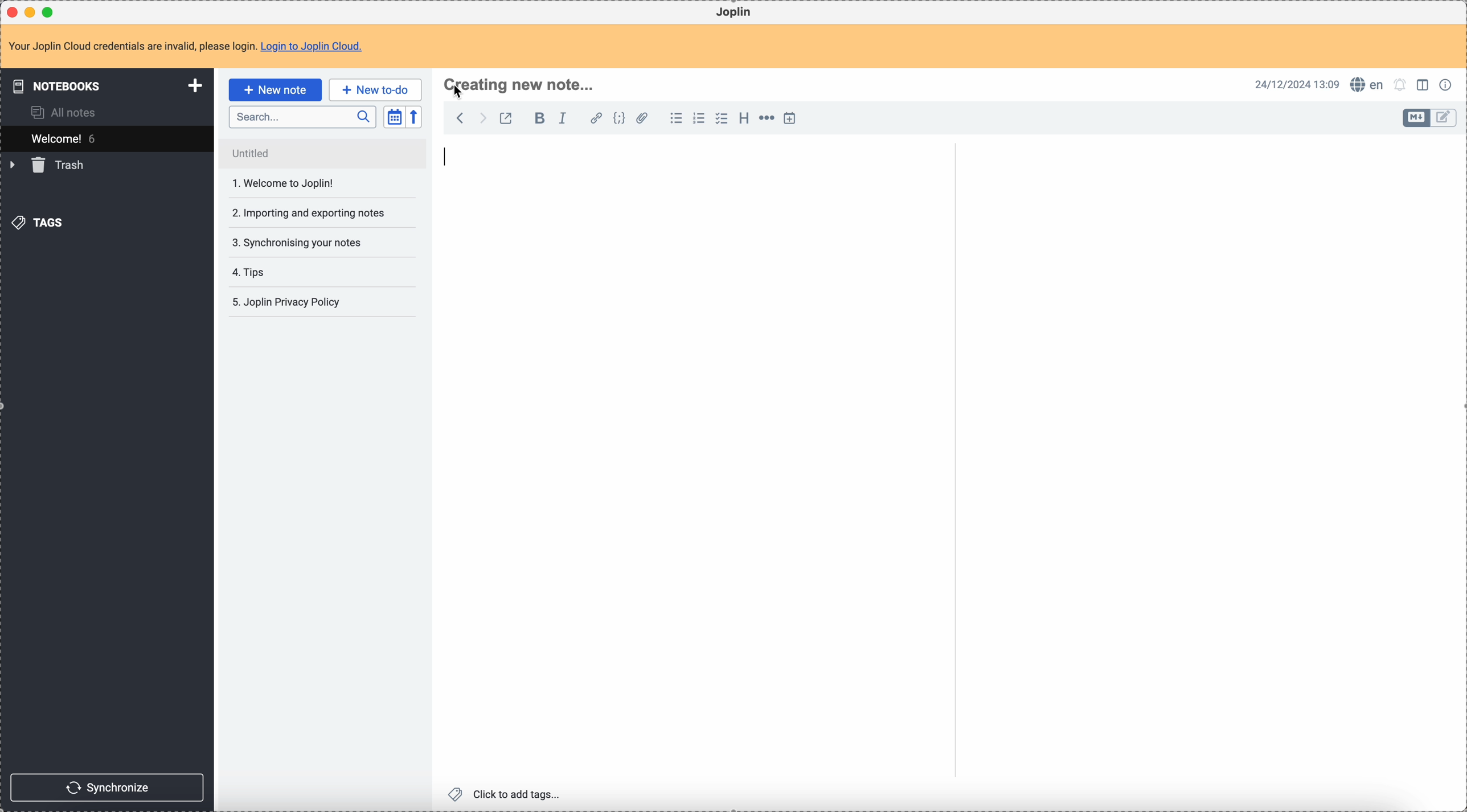  I want to click on toggle sort order field, so click(394, 117).